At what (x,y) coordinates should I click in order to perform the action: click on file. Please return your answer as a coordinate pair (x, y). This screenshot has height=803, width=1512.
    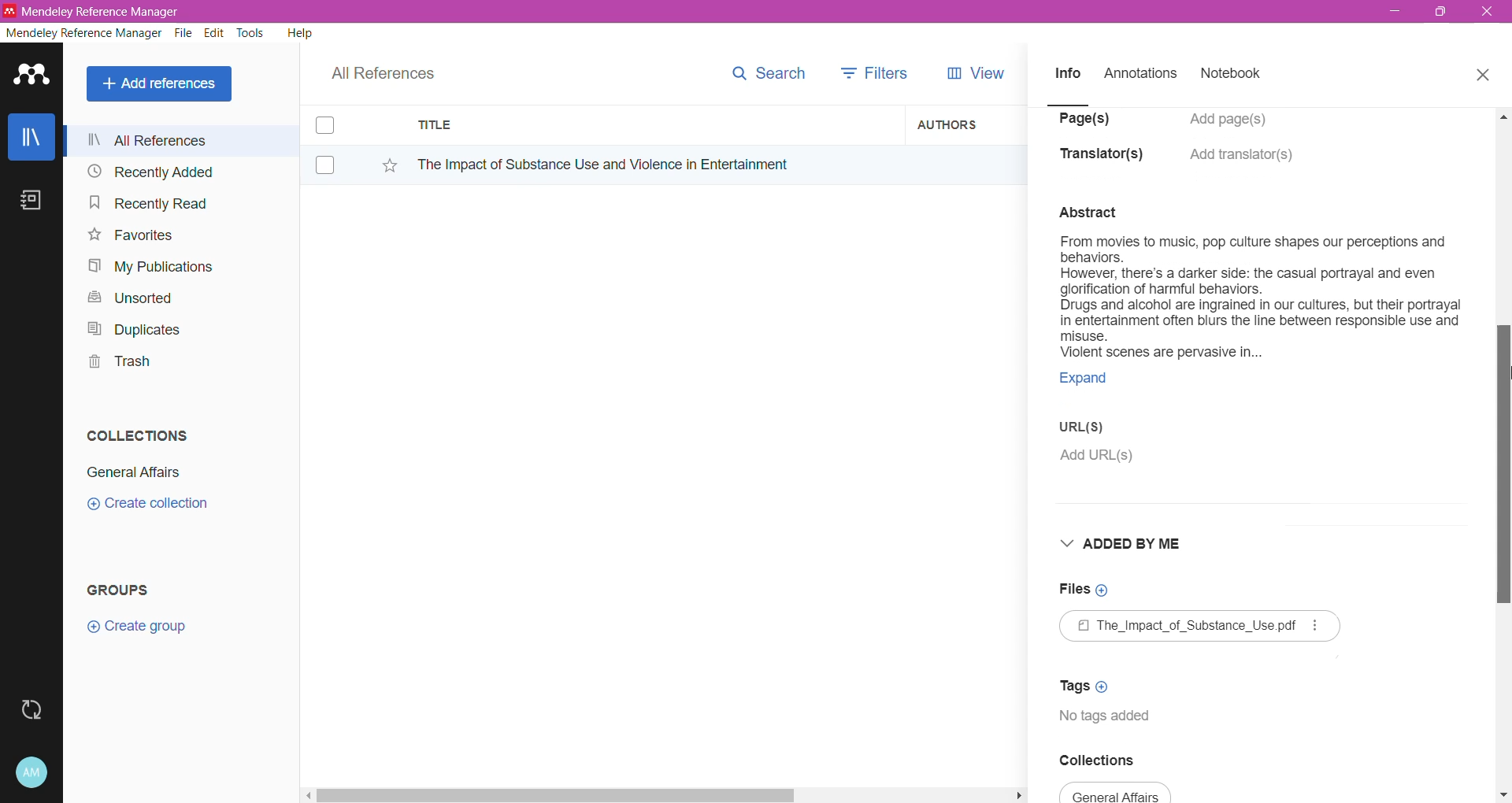
    Looking at the image, I should click on (1196, 627).